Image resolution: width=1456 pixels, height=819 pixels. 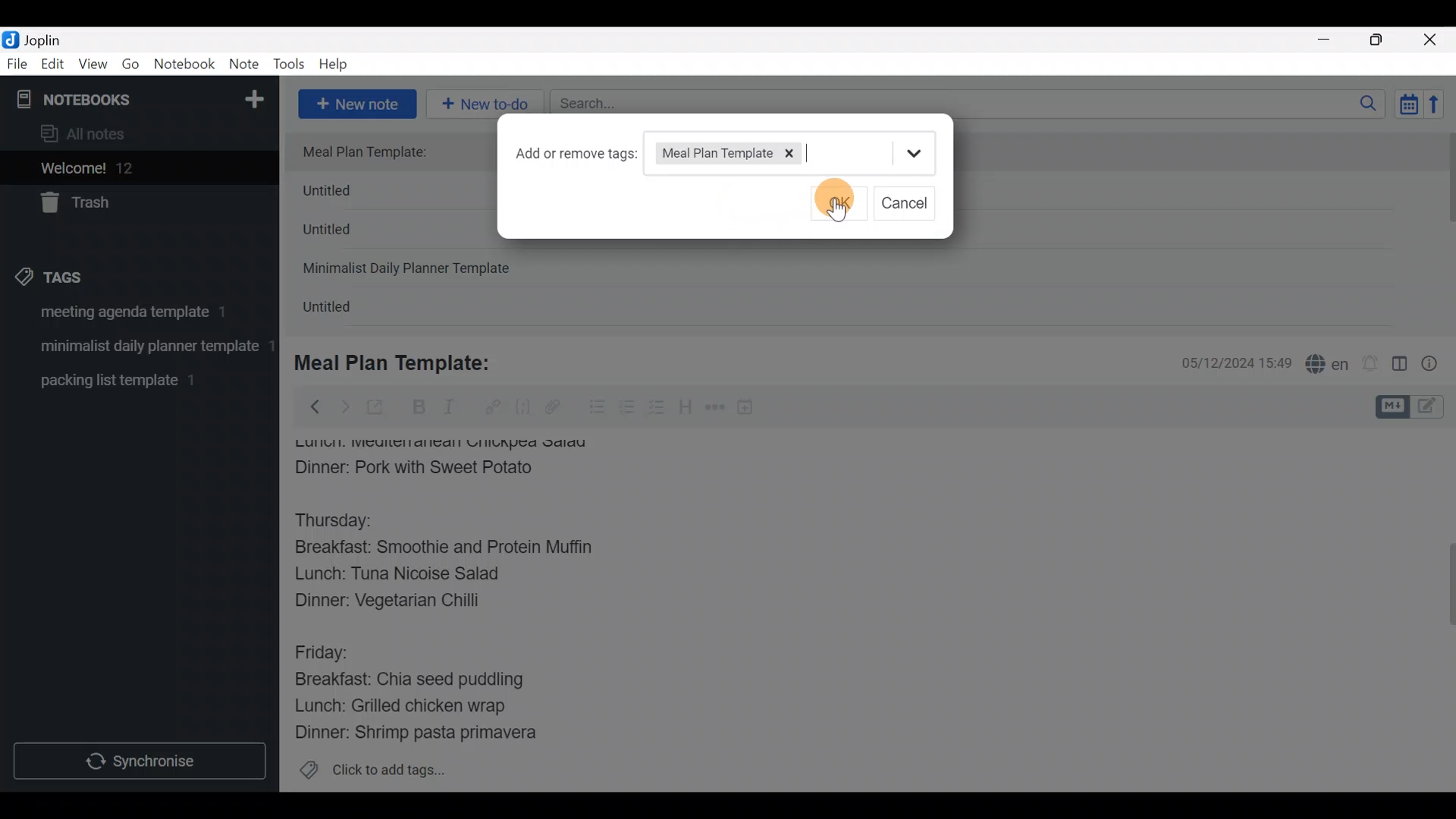 I want to click on New note, so click(x=356, y=102).